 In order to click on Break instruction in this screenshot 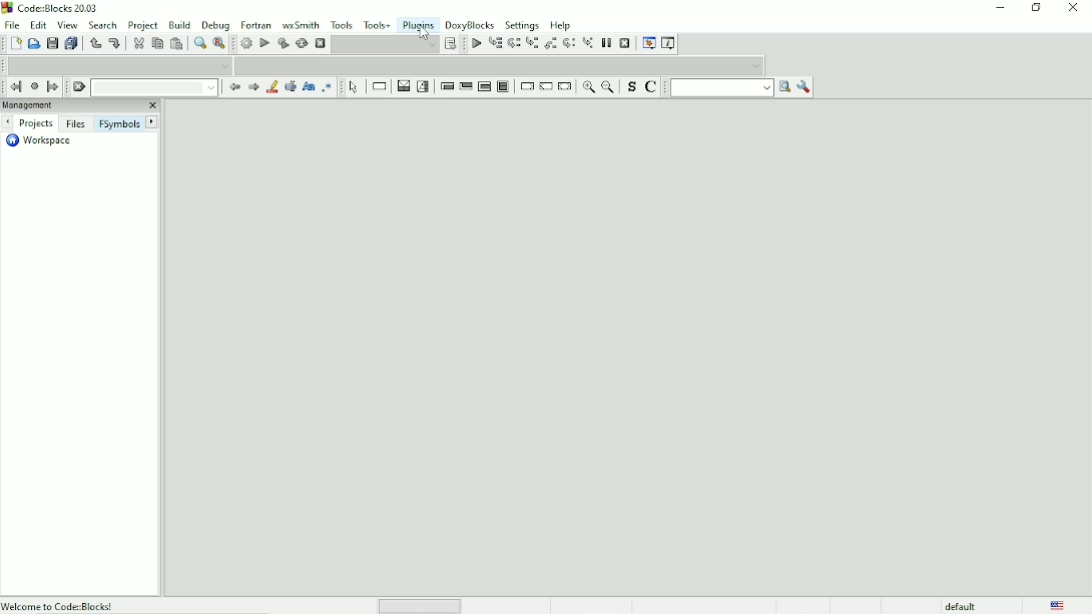, I will do `click(526, 87)`.